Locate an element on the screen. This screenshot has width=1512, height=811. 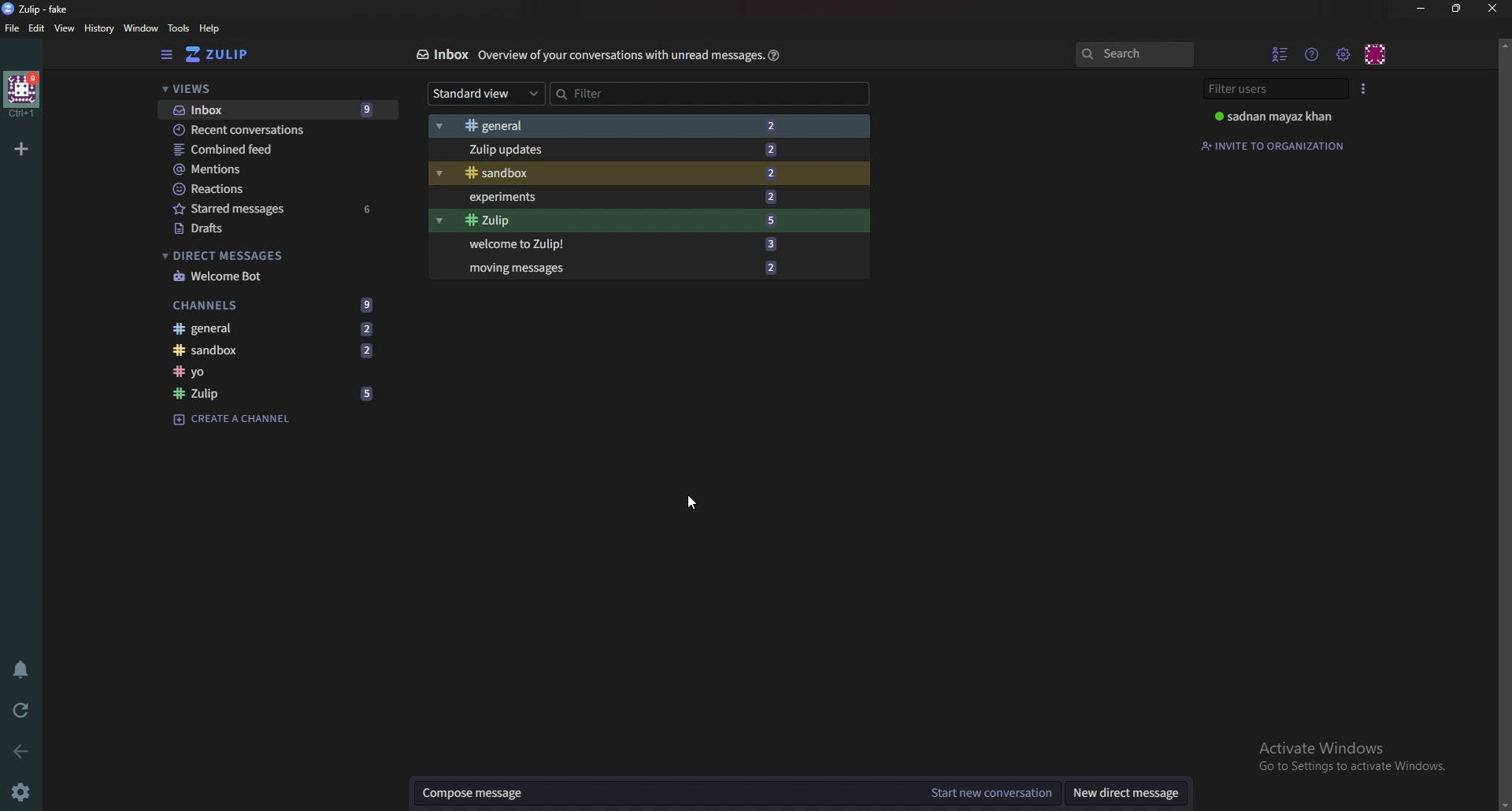
Compose message is located at coordinates (663, 792).